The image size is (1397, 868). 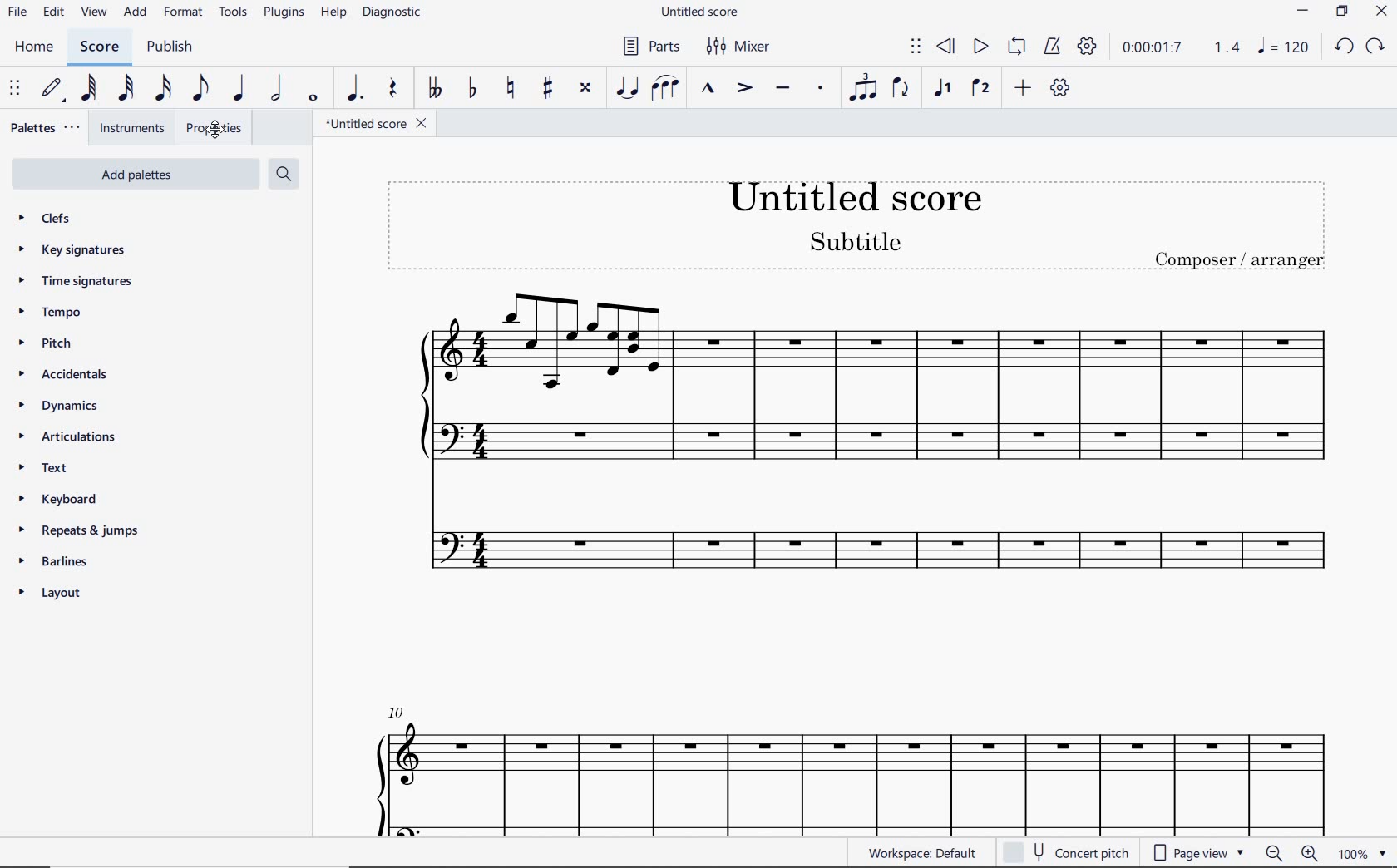 I want to click on TITLE, so click(x=864, y=223).